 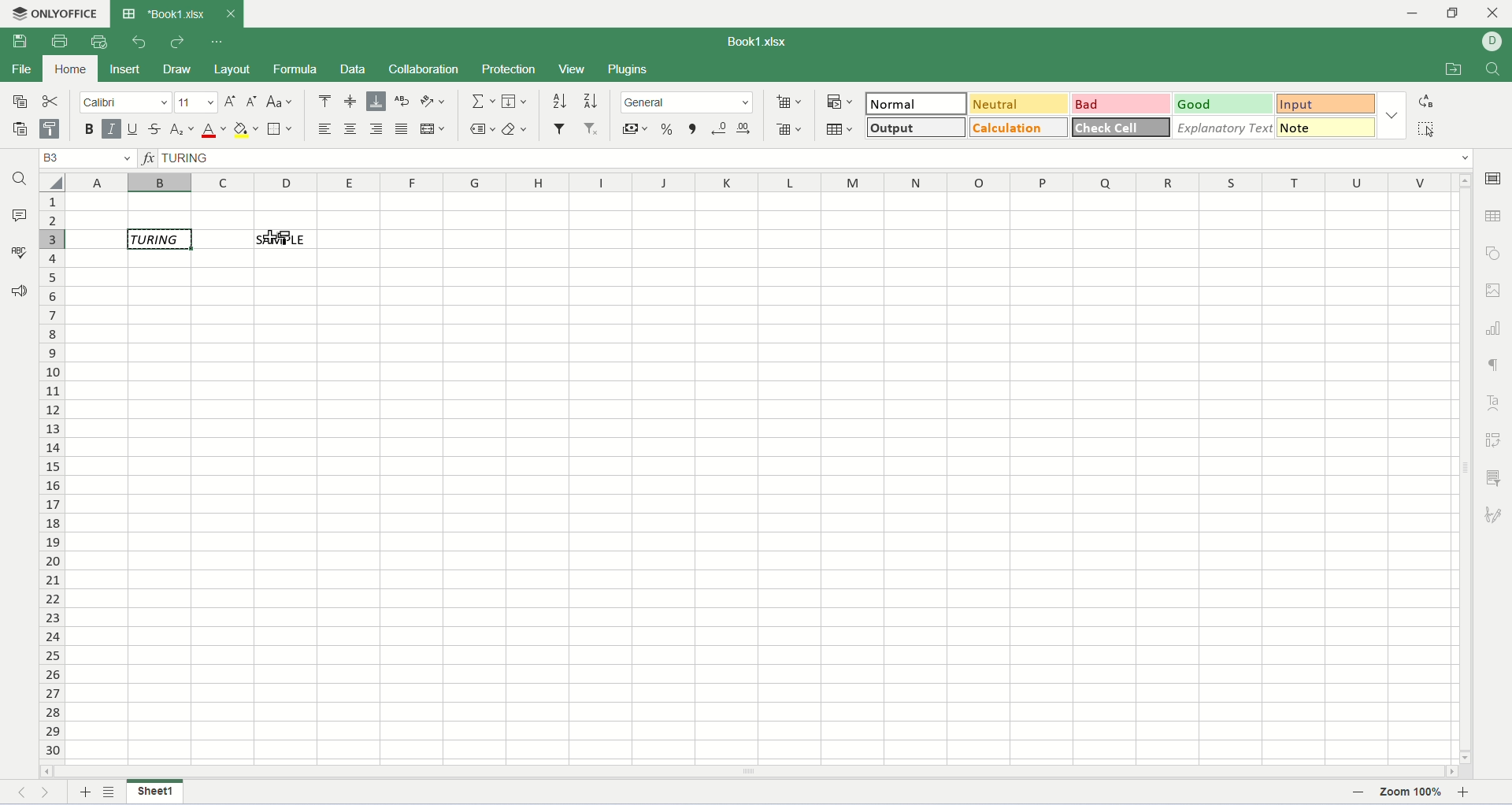 I want to click on print, so click(x=63, y=40).